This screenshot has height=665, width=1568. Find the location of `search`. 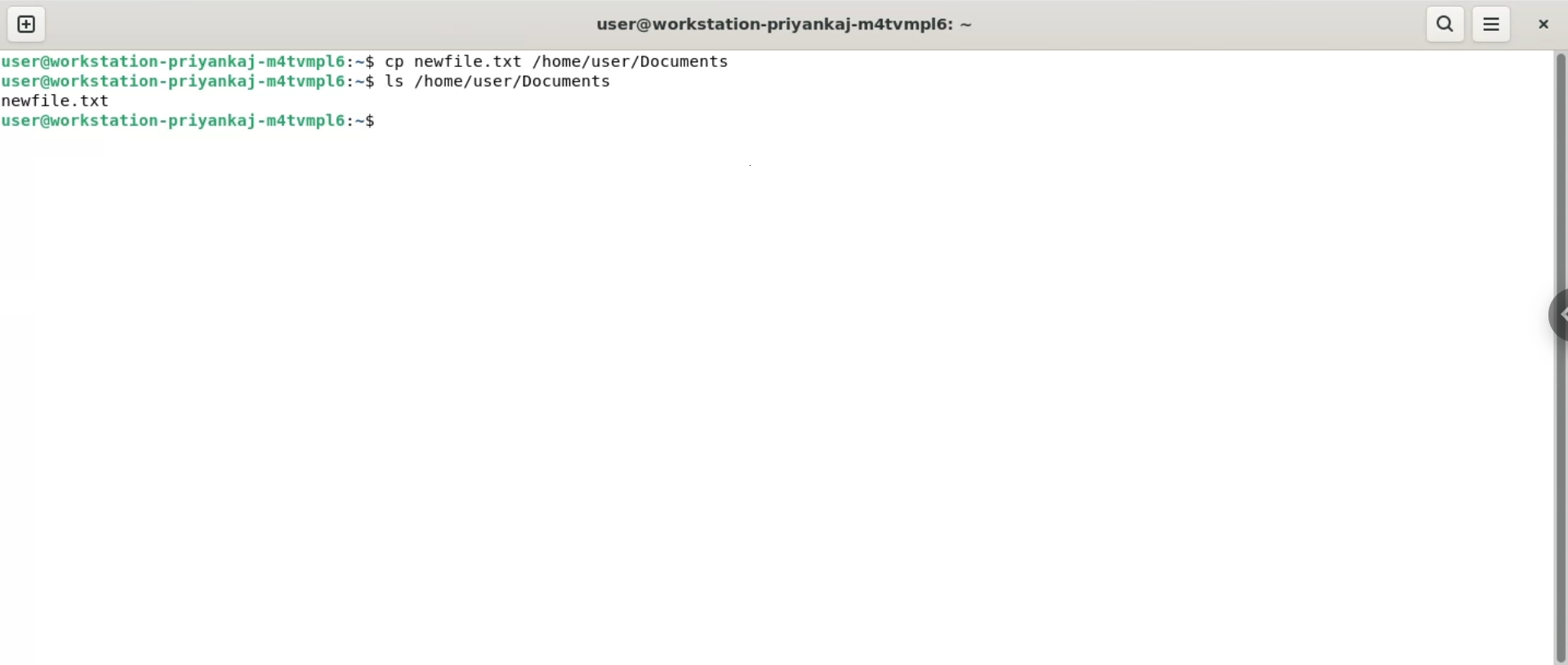

search is located at coordinates (1446, 25).